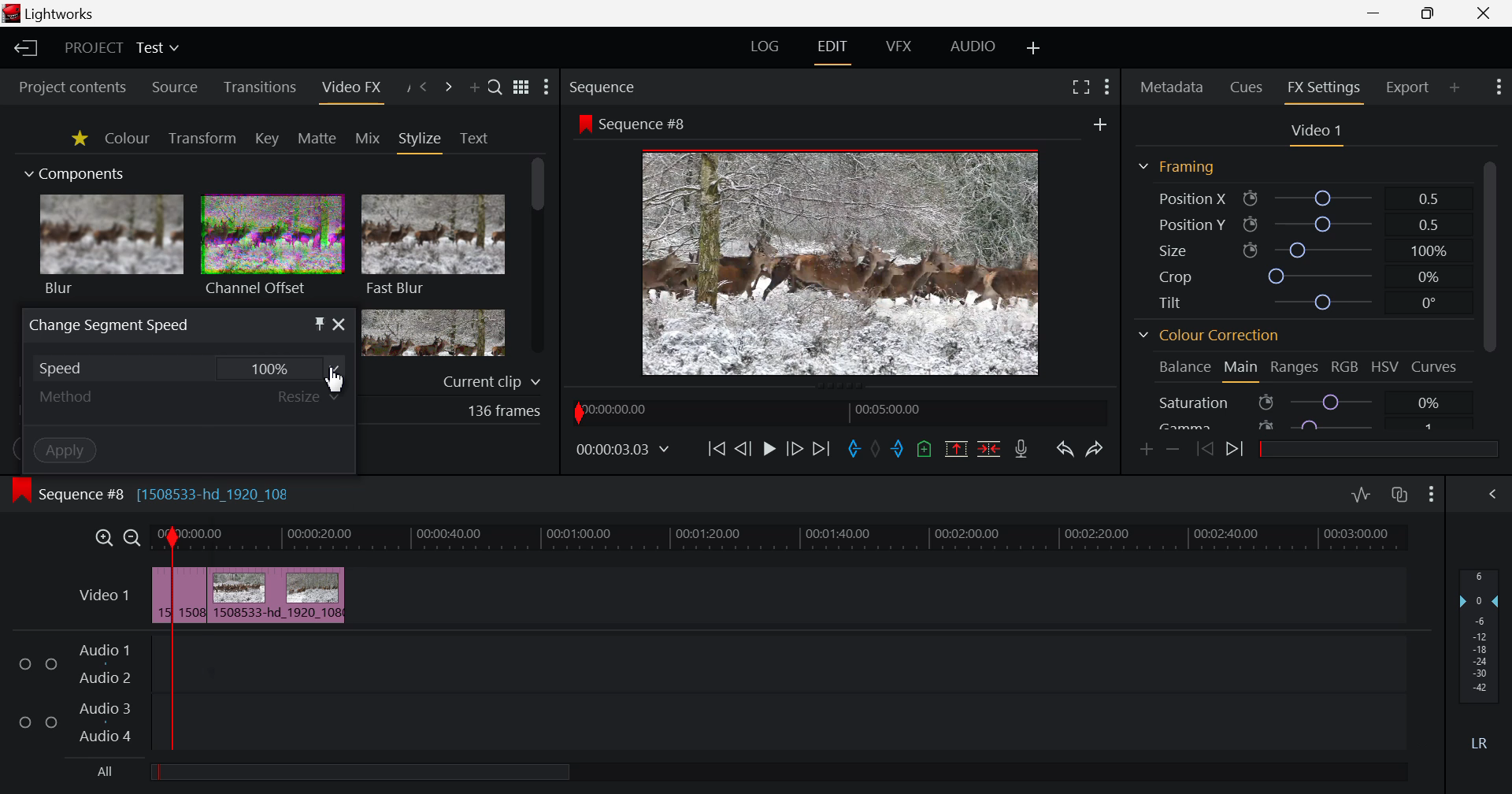 This screenshot has height=794, width=1512. What do you see at coordinates (1497, 89) in the screenshot?
I see `Show Settings` at bounding box center [1497, 89].